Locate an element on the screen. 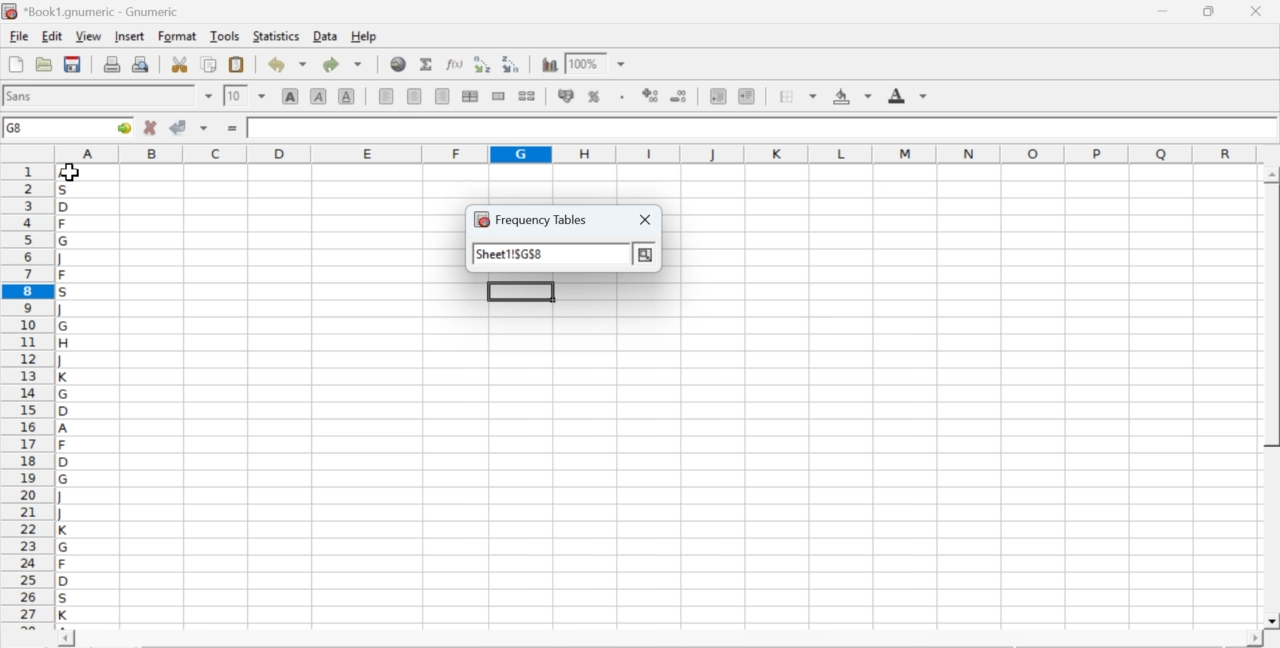 Image resolution: width=1280 pixels, height=648 pixels. italic is located at coordinates (320, 95).